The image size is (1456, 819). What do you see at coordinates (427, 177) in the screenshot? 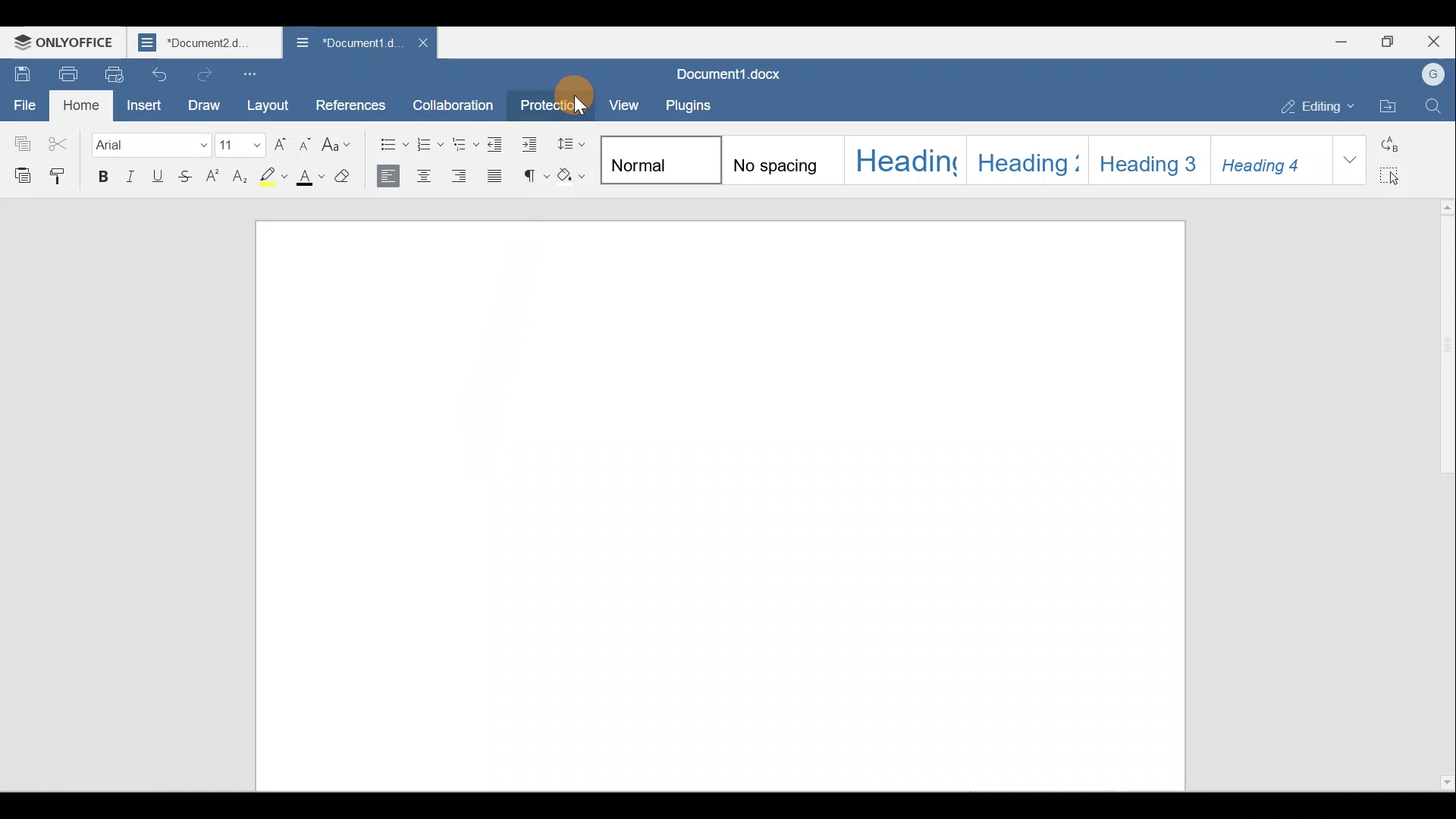
I see `Align center` at bounding box center [427, 177].